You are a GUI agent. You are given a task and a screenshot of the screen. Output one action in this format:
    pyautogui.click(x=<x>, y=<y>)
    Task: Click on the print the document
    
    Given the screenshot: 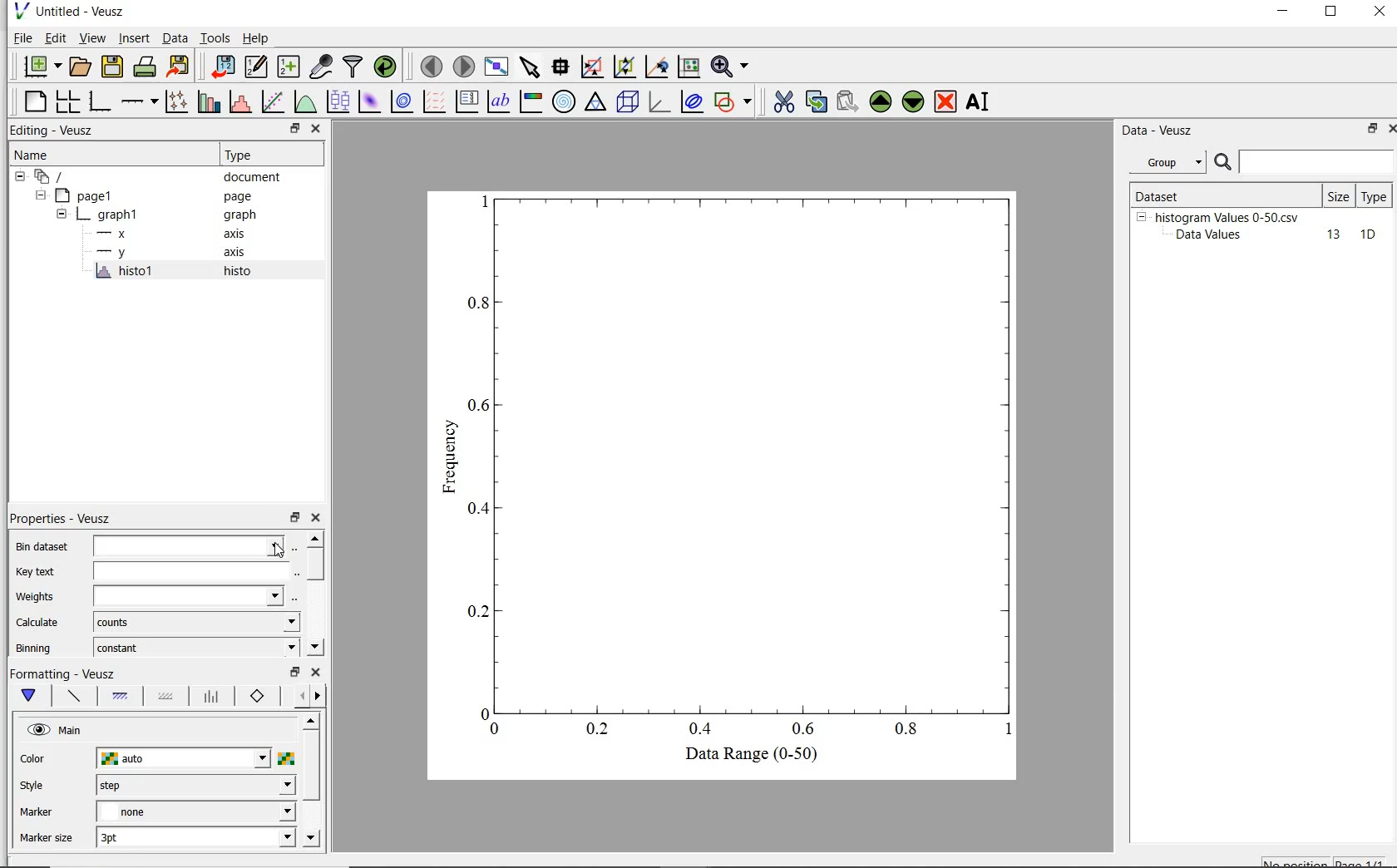 What is the action you would take?
    pyautogui.click(x=146, y=65)
    